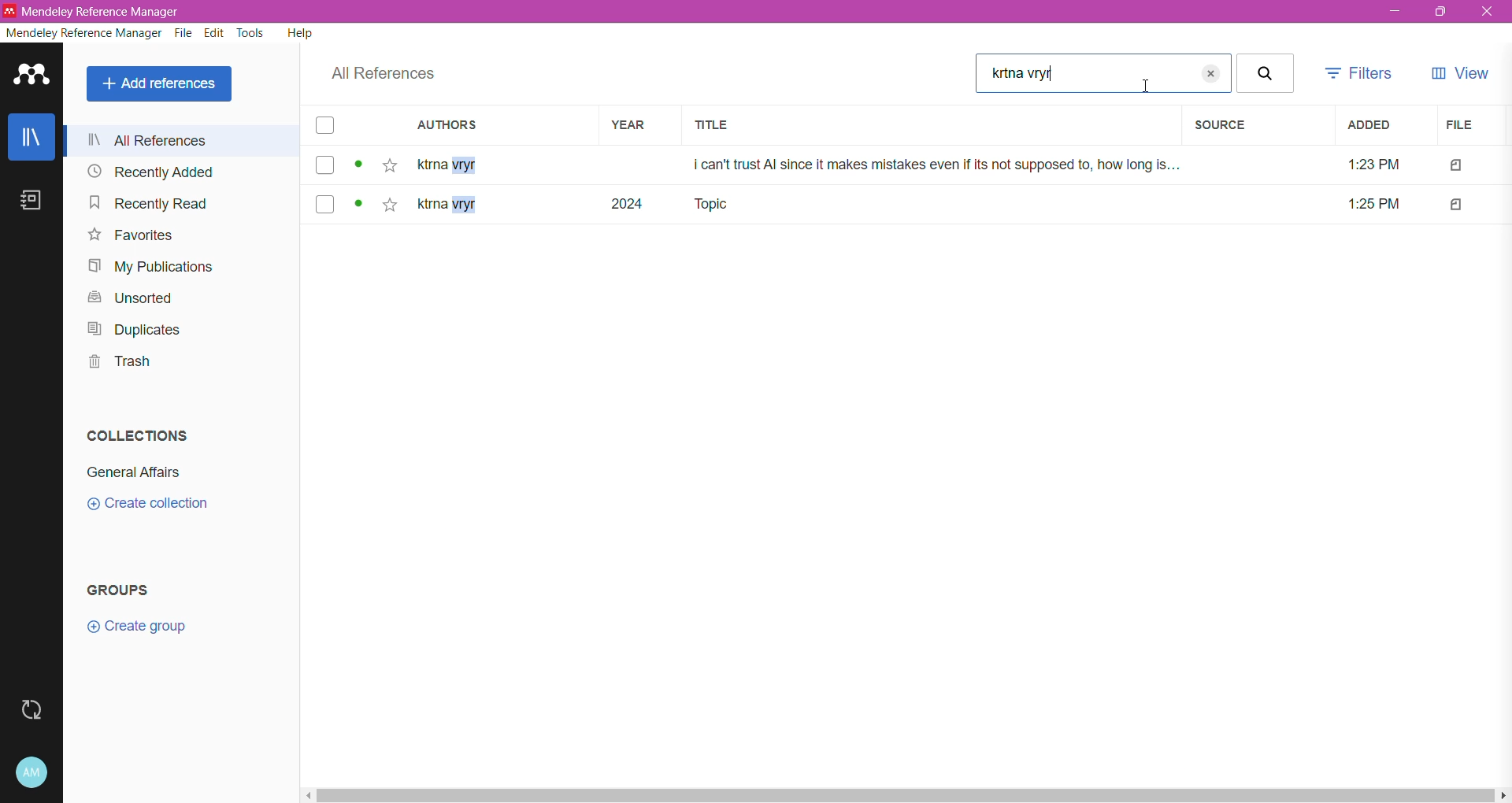 The image size is (1512, 803). I want to click on File, so click(182, 34).